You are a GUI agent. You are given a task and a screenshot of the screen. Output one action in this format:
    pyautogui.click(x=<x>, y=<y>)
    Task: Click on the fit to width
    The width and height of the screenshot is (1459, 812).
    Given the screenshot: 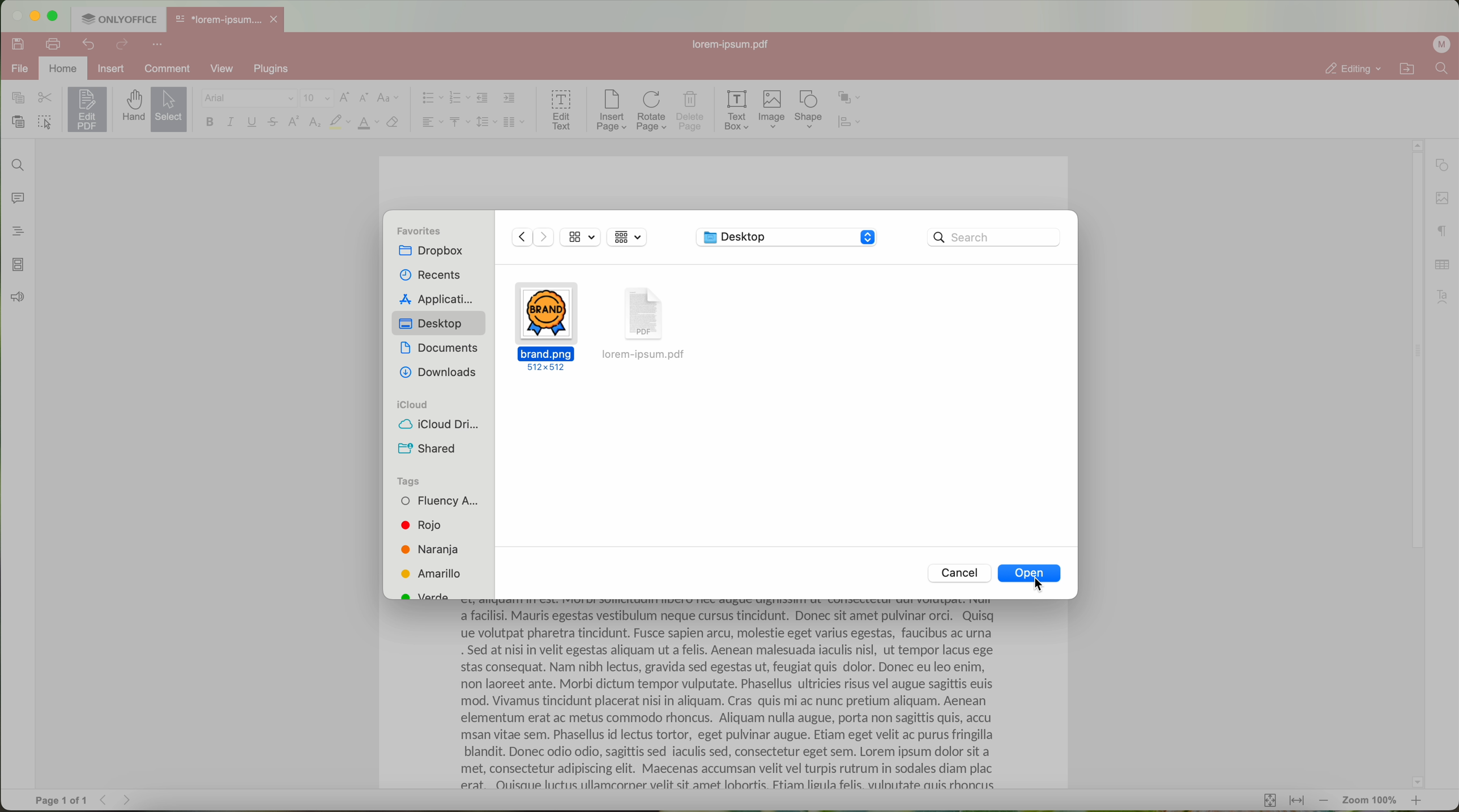 What is the action you would take?
    pyautogui.click(x=1296, y=801)
    